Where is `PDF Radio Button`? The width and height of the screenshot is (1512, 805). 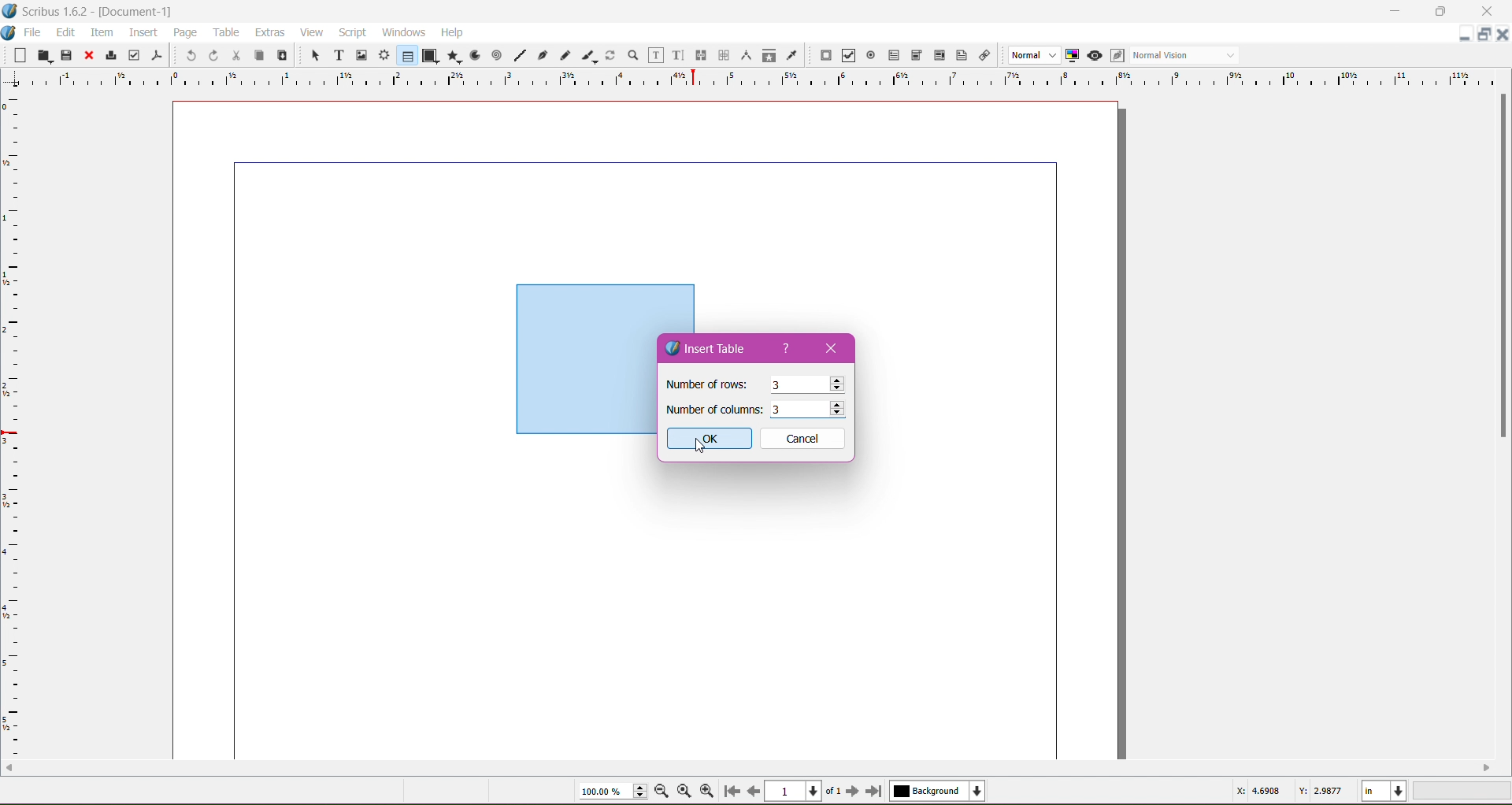
PDF Radio Button is located at coordinates (868, 57).